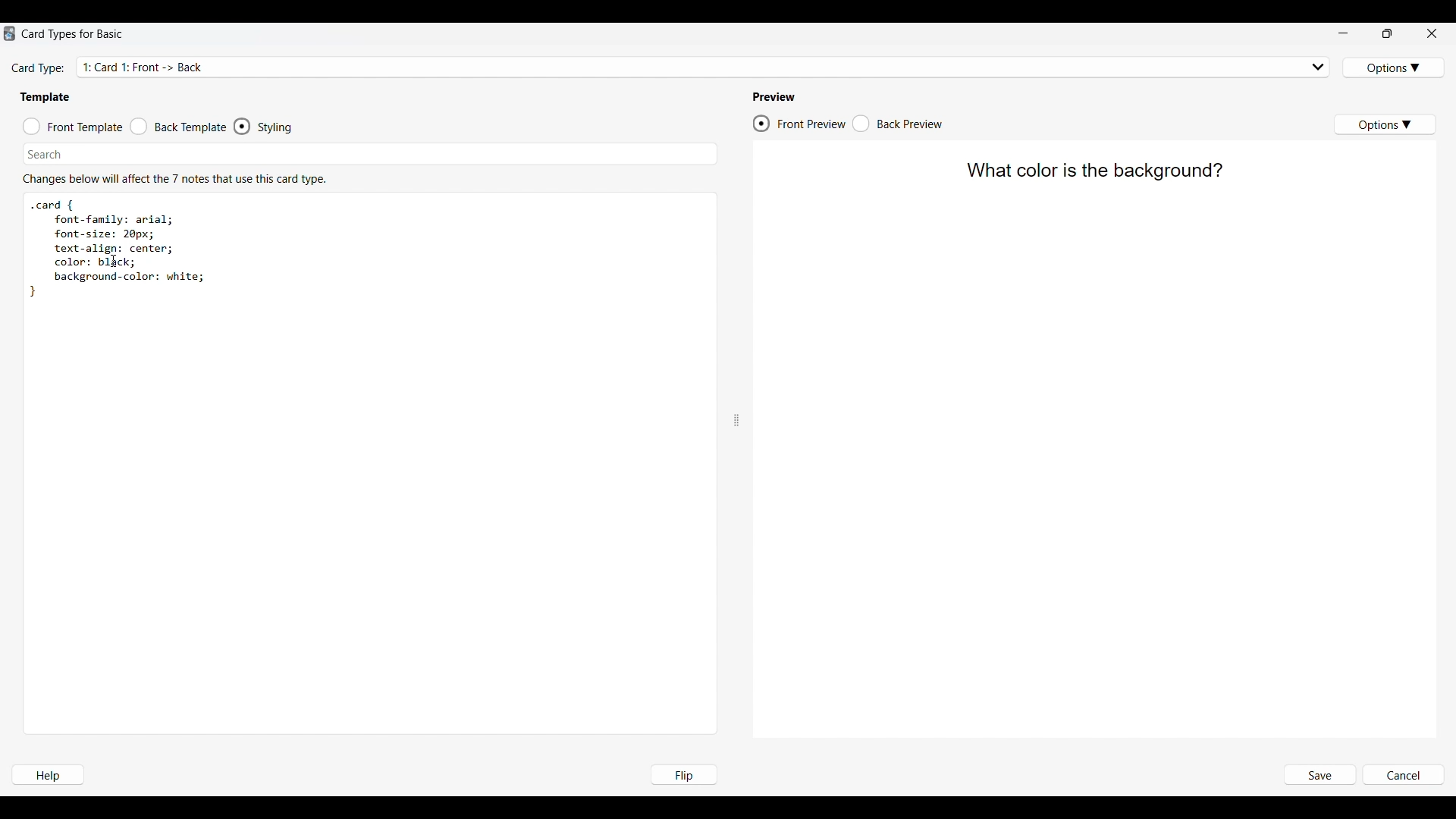 Image resolution: width=1456 pixels, height=819 pixels. I want to click on Cursor, so click(115, 261).